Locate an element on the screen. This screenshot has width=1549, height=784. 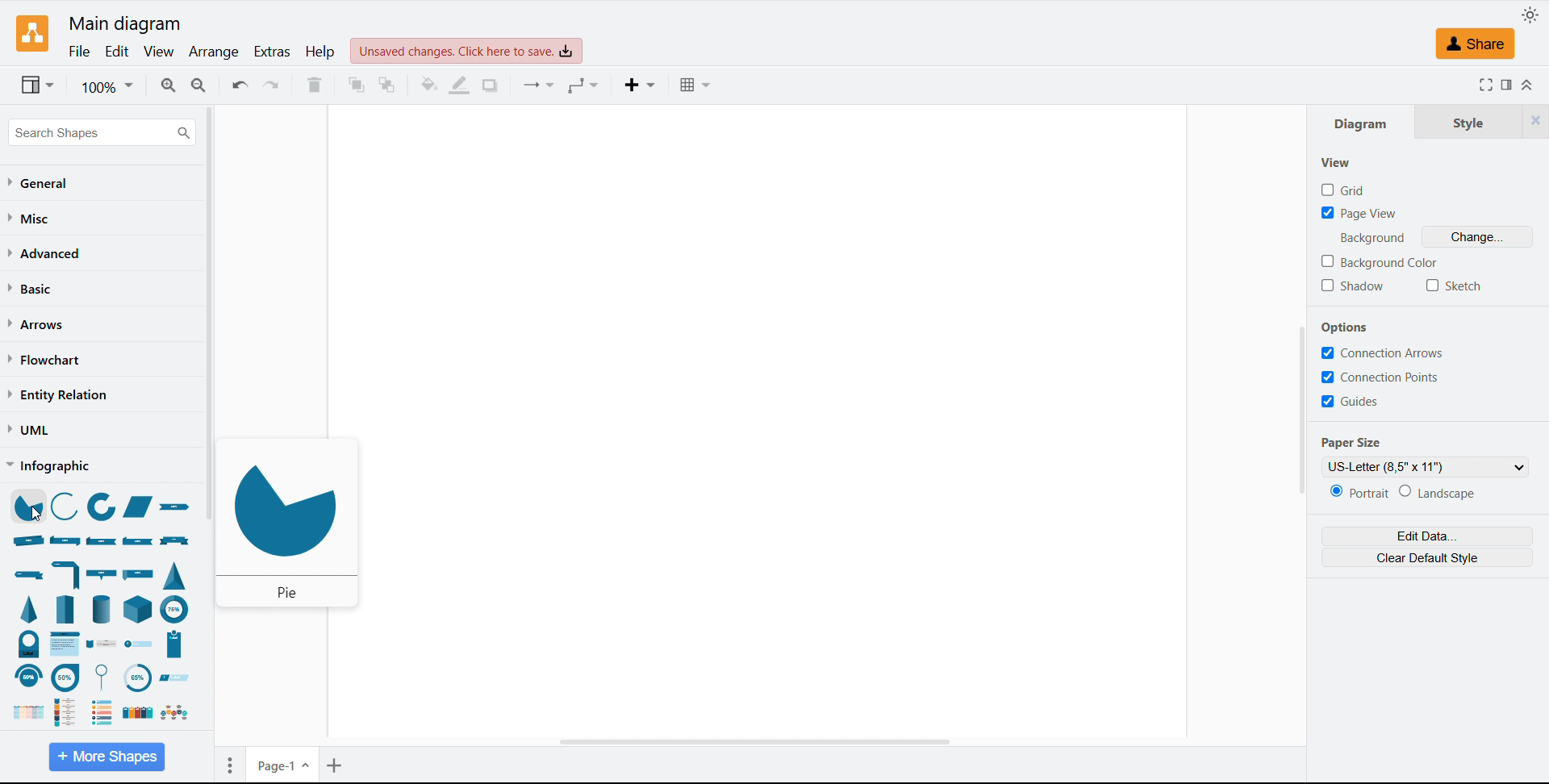
Style  is located at coordinates (1464, 122).